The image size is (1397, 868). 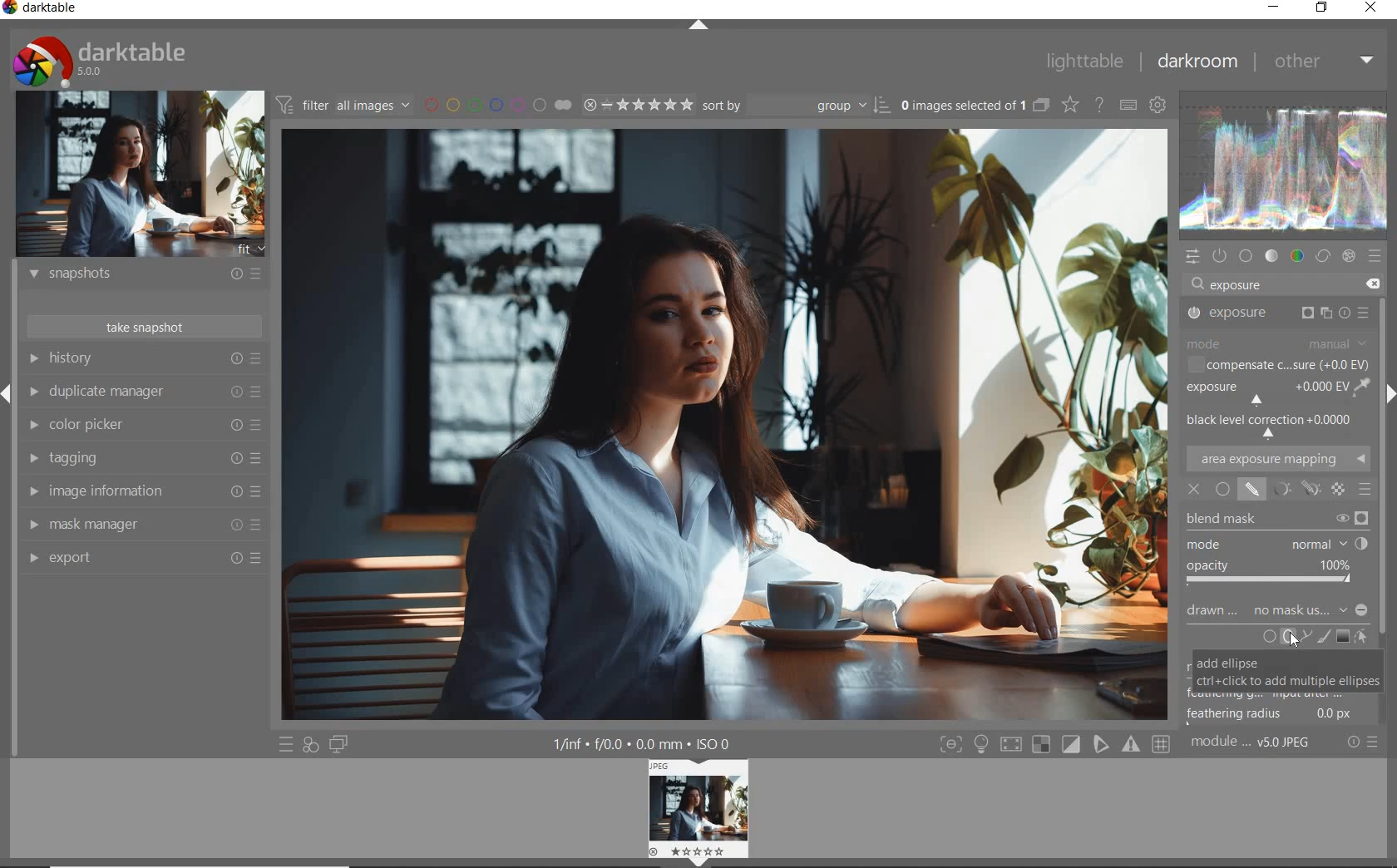 What do you see at coordinates (976, 107) in the screenshot?
I see `expand grouped images` at bounding box center [976, 107].